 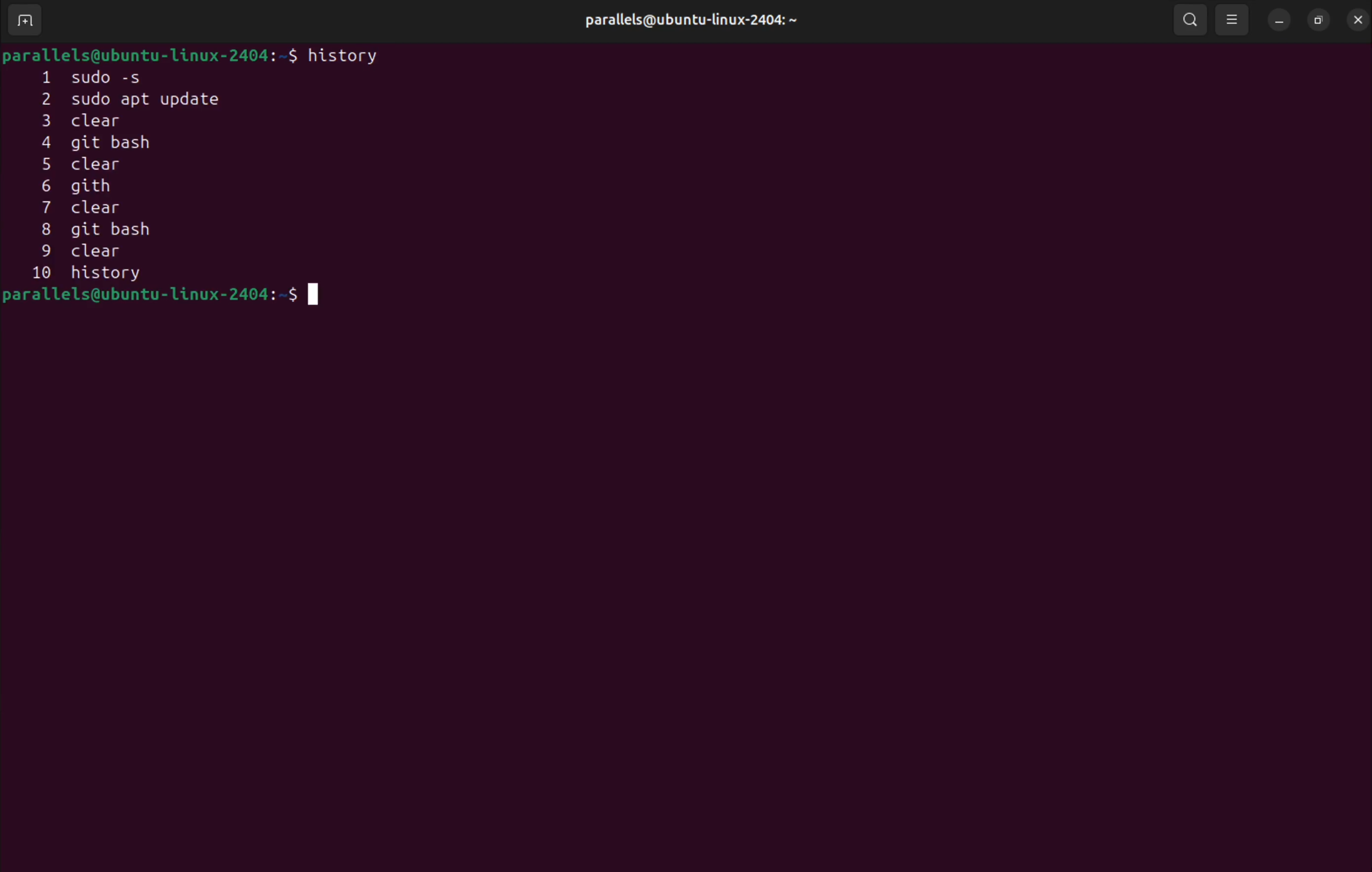 What do you see at coordinates (168, 298) in the screenshot?
I see `bash prompt` at bounding box center [168, 298].